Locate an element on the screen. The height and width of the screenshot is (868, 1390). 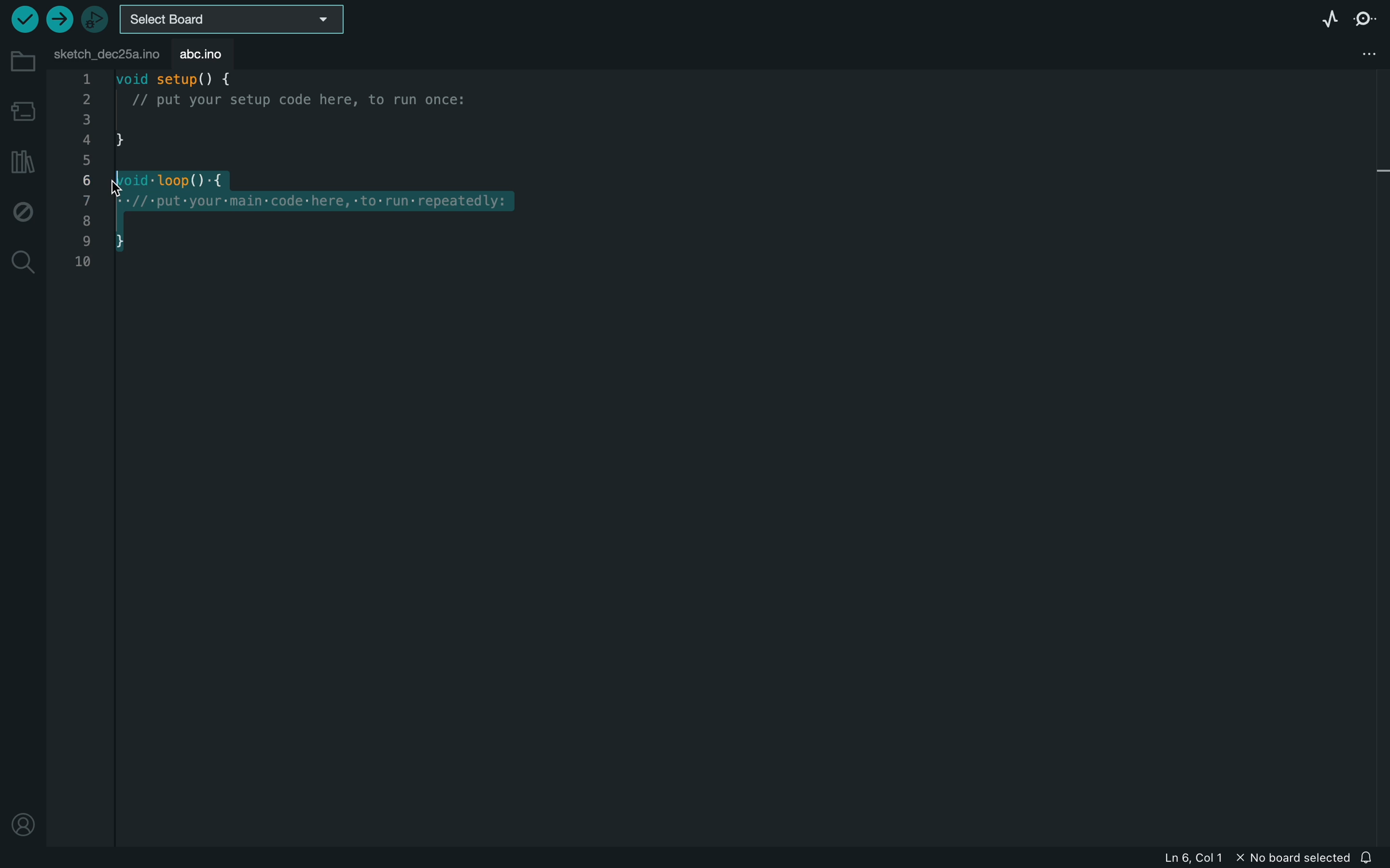
upload  is located at coordinates (59, 20).